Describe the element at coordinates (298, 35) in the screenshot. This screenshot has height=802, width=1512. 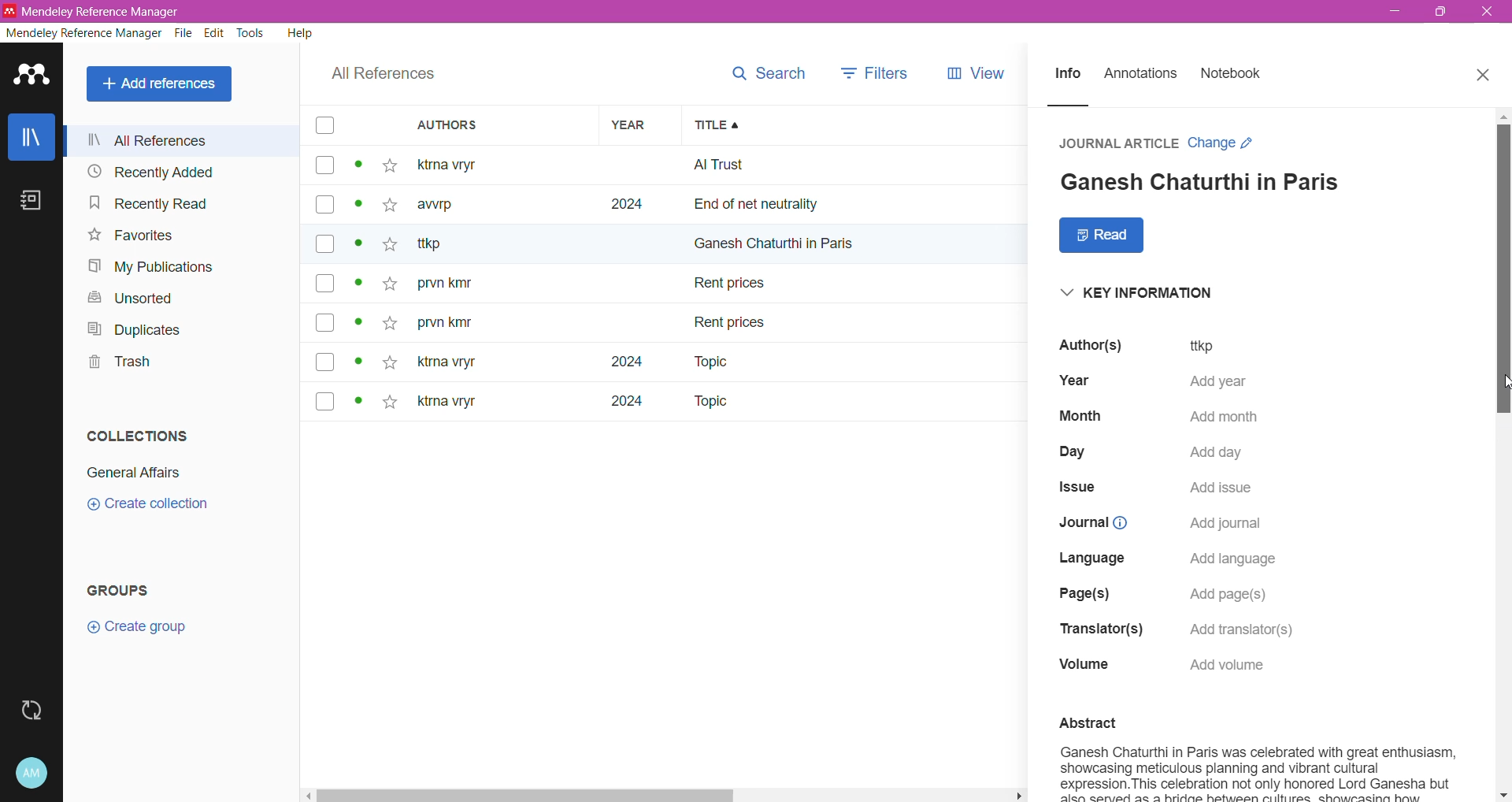
I see `Help` at that location.